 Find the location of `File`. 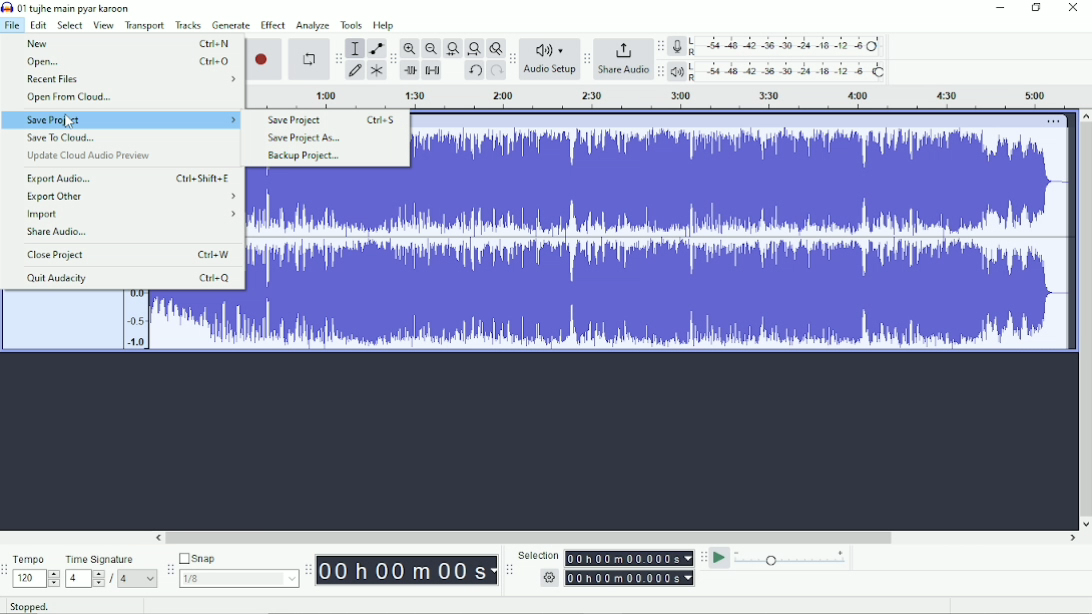

File is located at coordinates (12, 25).